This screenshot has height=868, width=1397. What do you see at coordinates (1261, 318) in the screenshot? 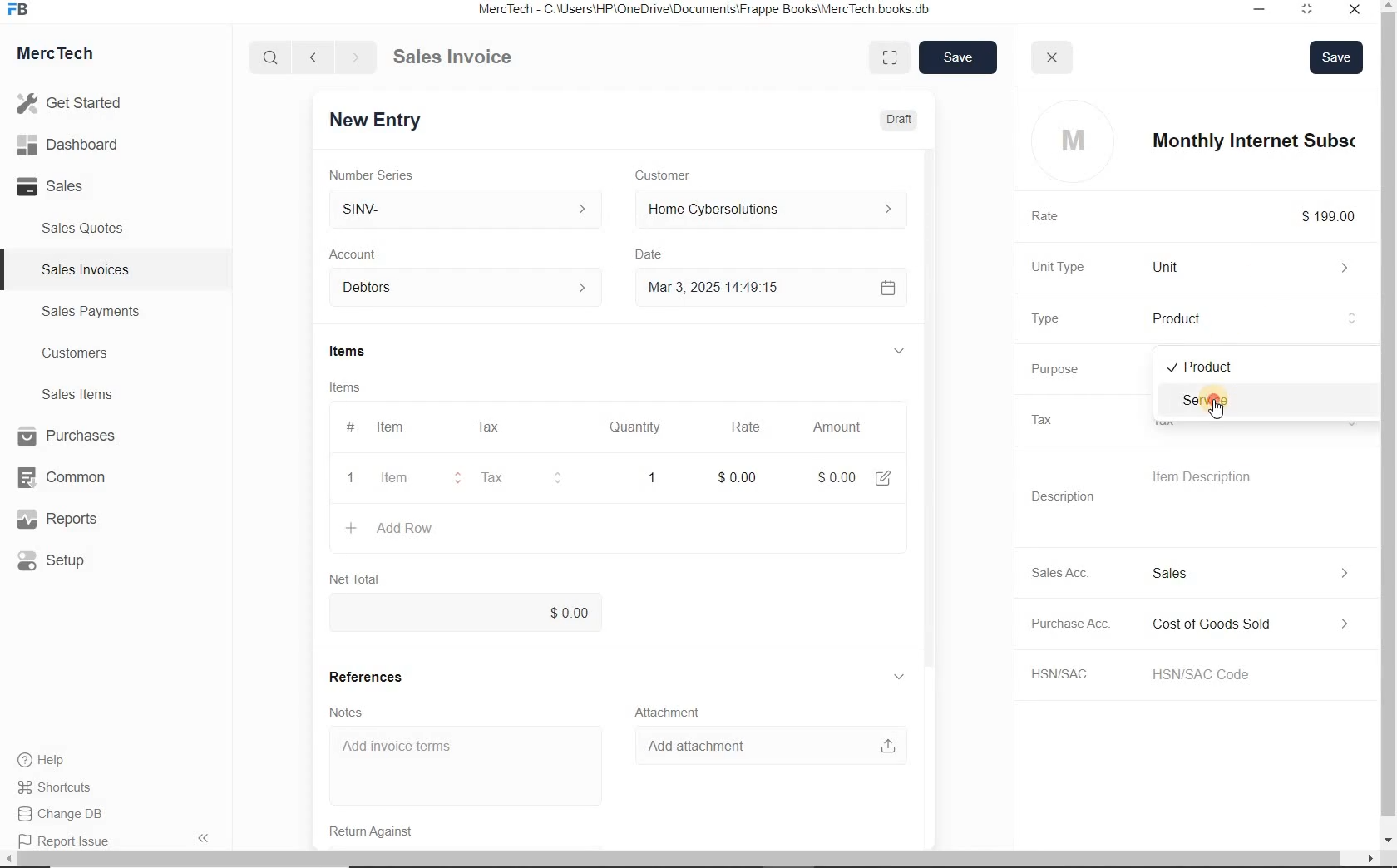
I see `Product` at bounding box center [1261, 318].